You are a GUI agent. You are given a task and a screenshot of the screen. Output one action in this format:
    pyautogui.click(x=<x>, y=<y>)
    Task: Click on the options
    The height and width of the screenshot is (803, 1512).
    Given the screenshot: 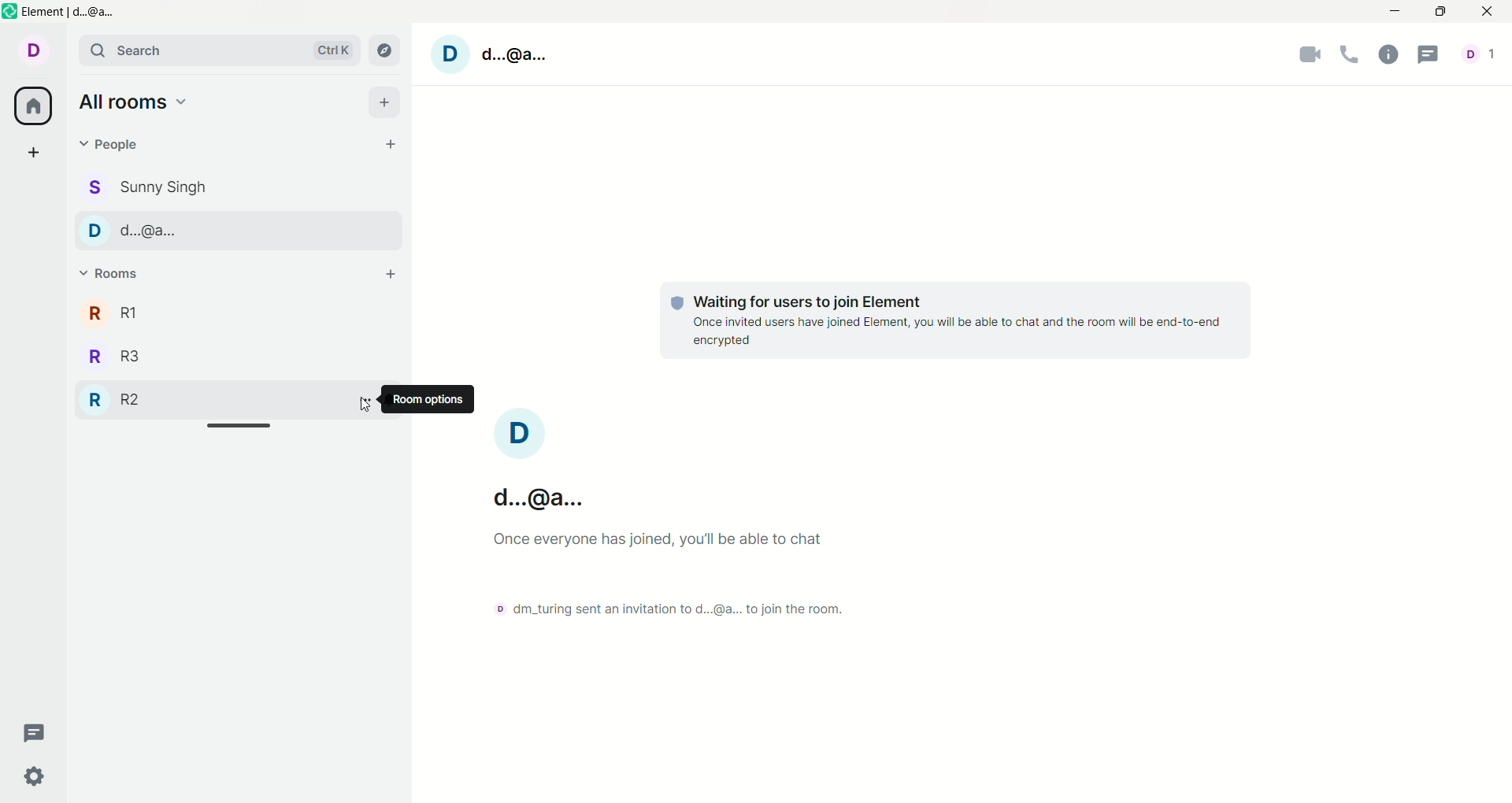 What is the action you would take?
    pyautogui.click(x=366, y=402)
    